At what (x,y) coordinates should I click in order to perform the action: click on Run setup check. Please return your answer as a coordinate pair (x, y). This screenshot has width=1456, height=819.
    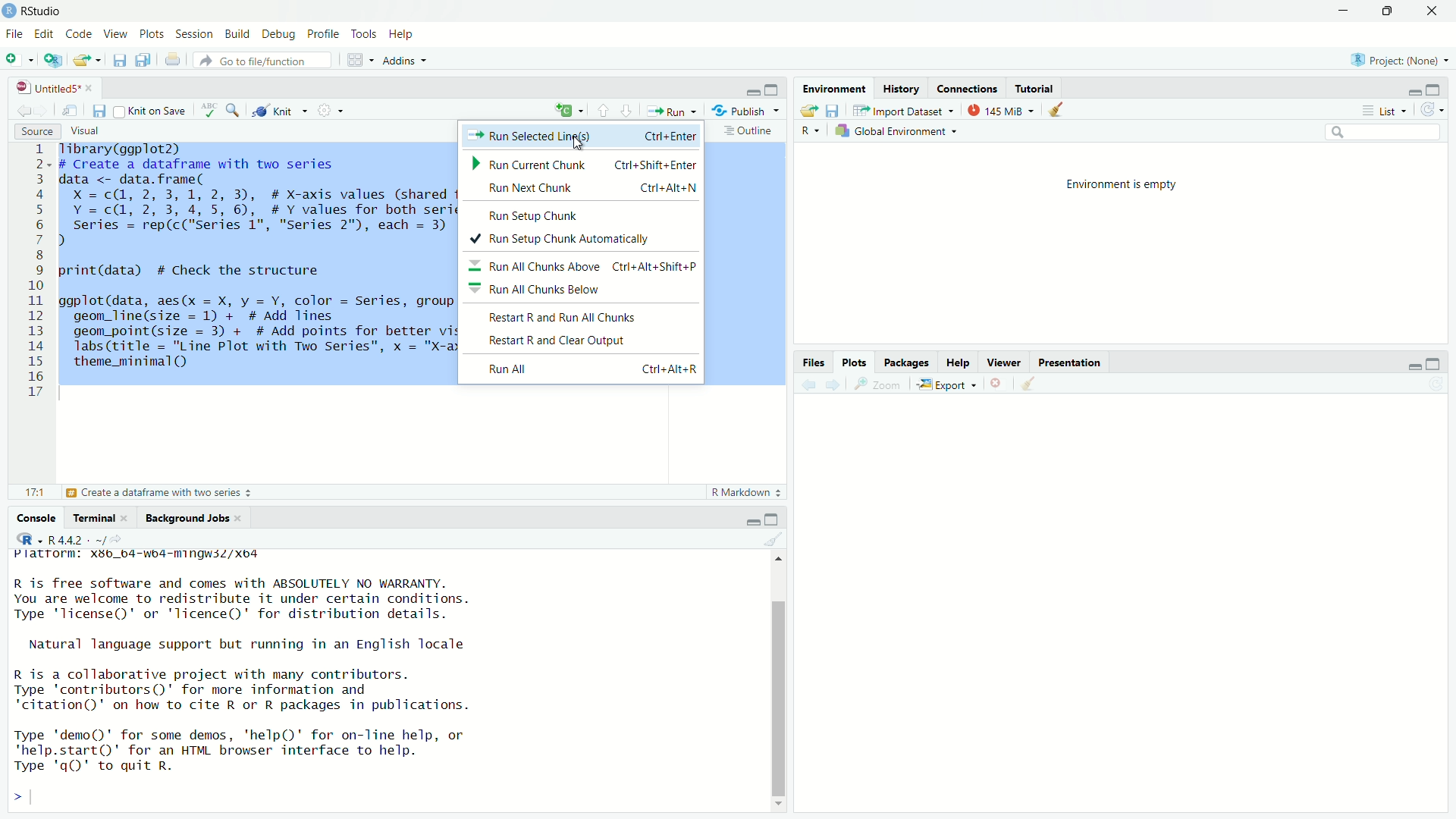
    Looking at the image, I should click on (531, 216).